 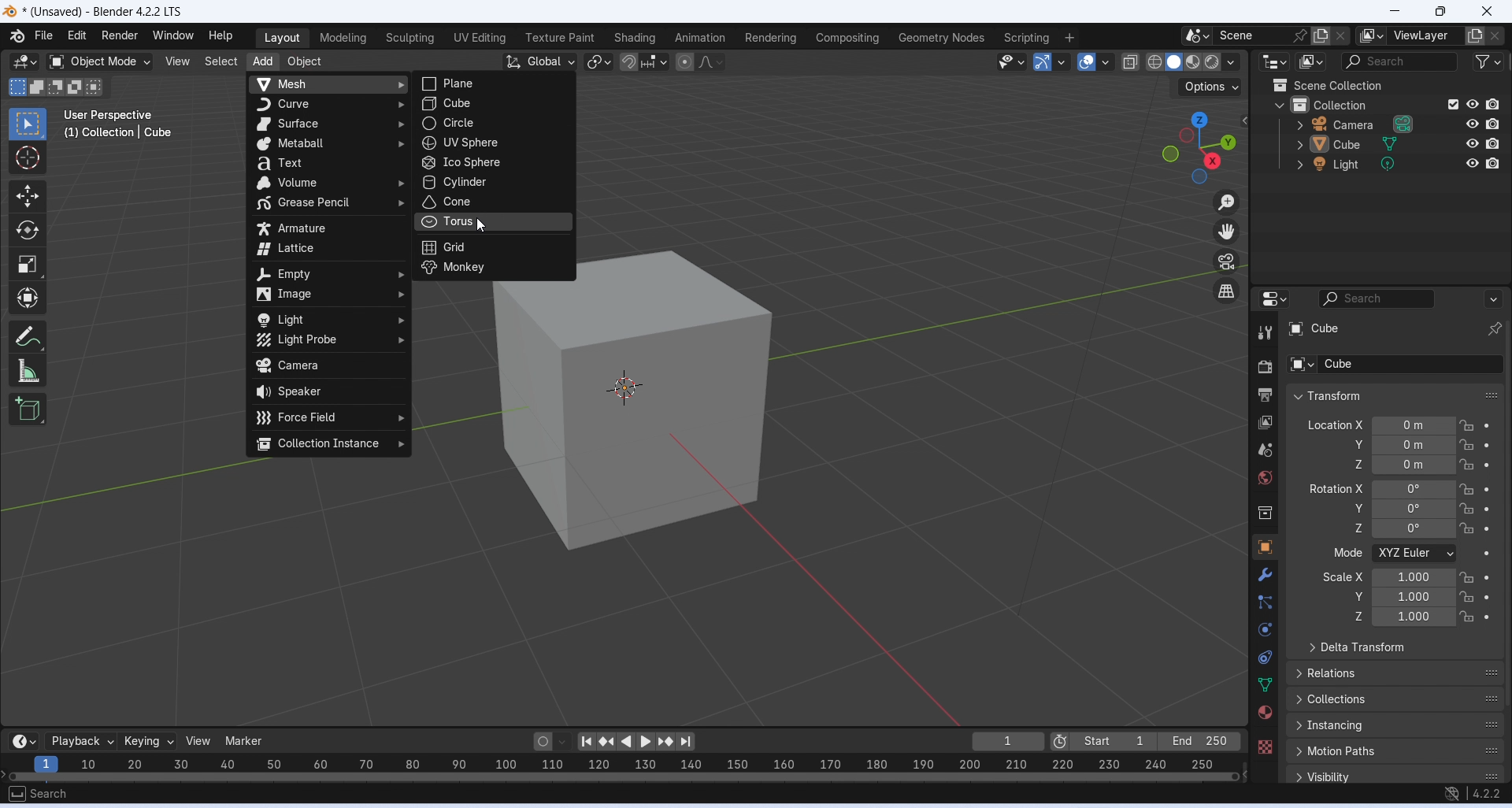 I want to click on Close, so click(x=1489, y=12).